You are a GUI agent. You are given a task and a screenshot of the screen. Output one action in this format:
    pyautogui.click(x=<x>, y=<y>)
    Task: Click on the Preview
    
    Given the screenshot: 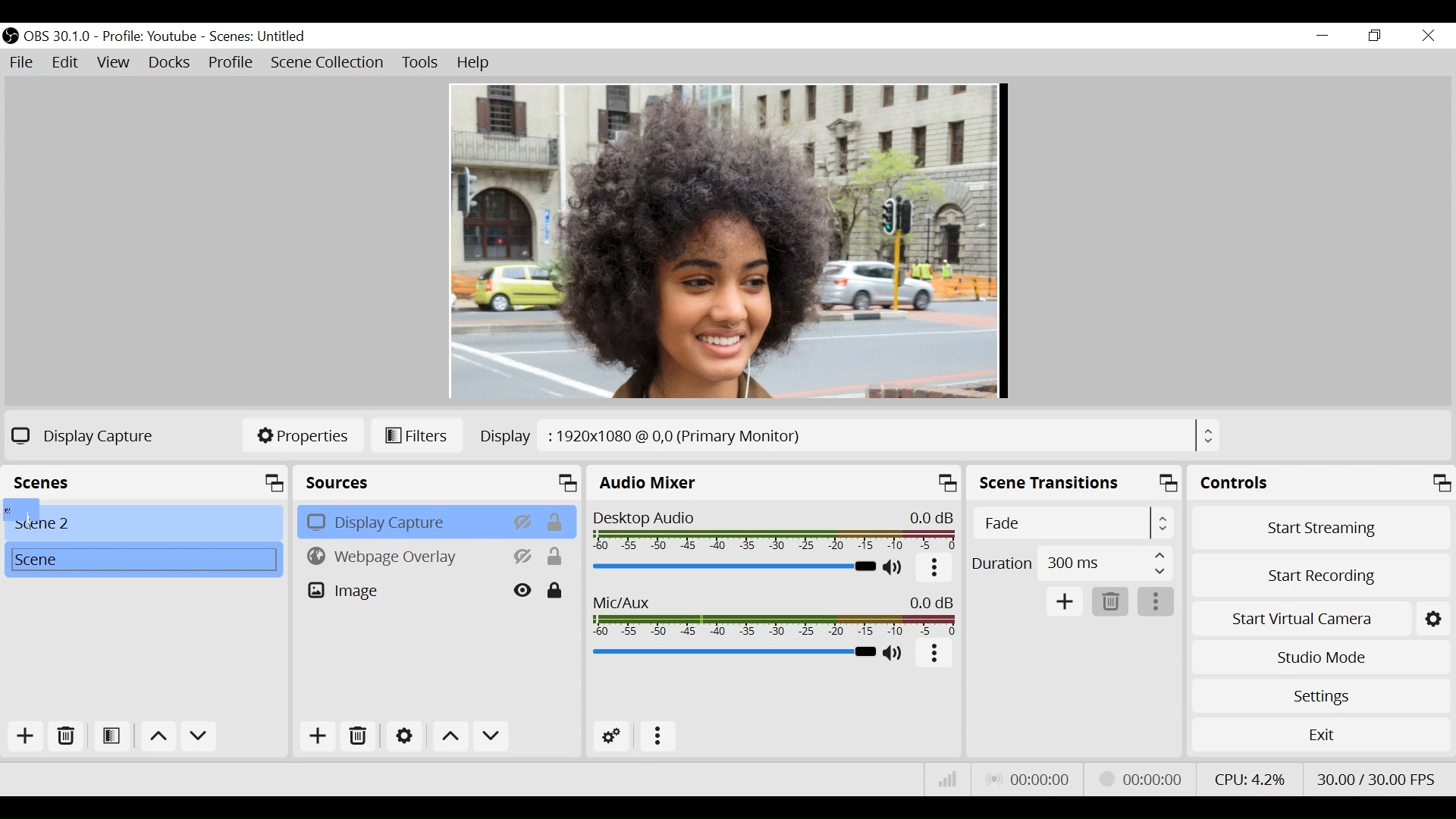 What is the action you would take?
    pyautogui.click(x=727, y=242)
    